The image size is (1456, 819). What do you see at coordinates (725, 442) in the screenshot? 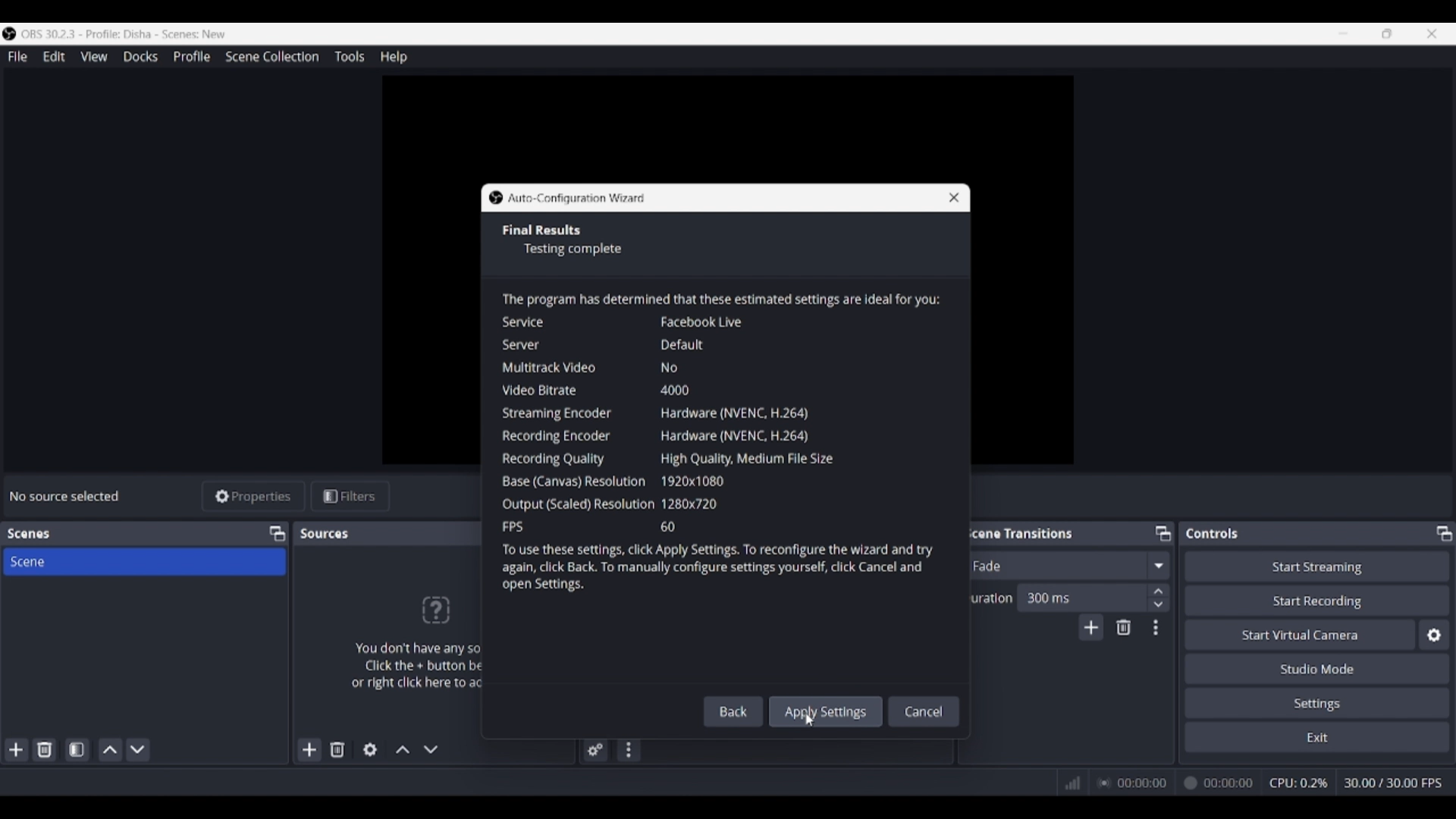
I see `Window description` at bounding box center [725, 442].